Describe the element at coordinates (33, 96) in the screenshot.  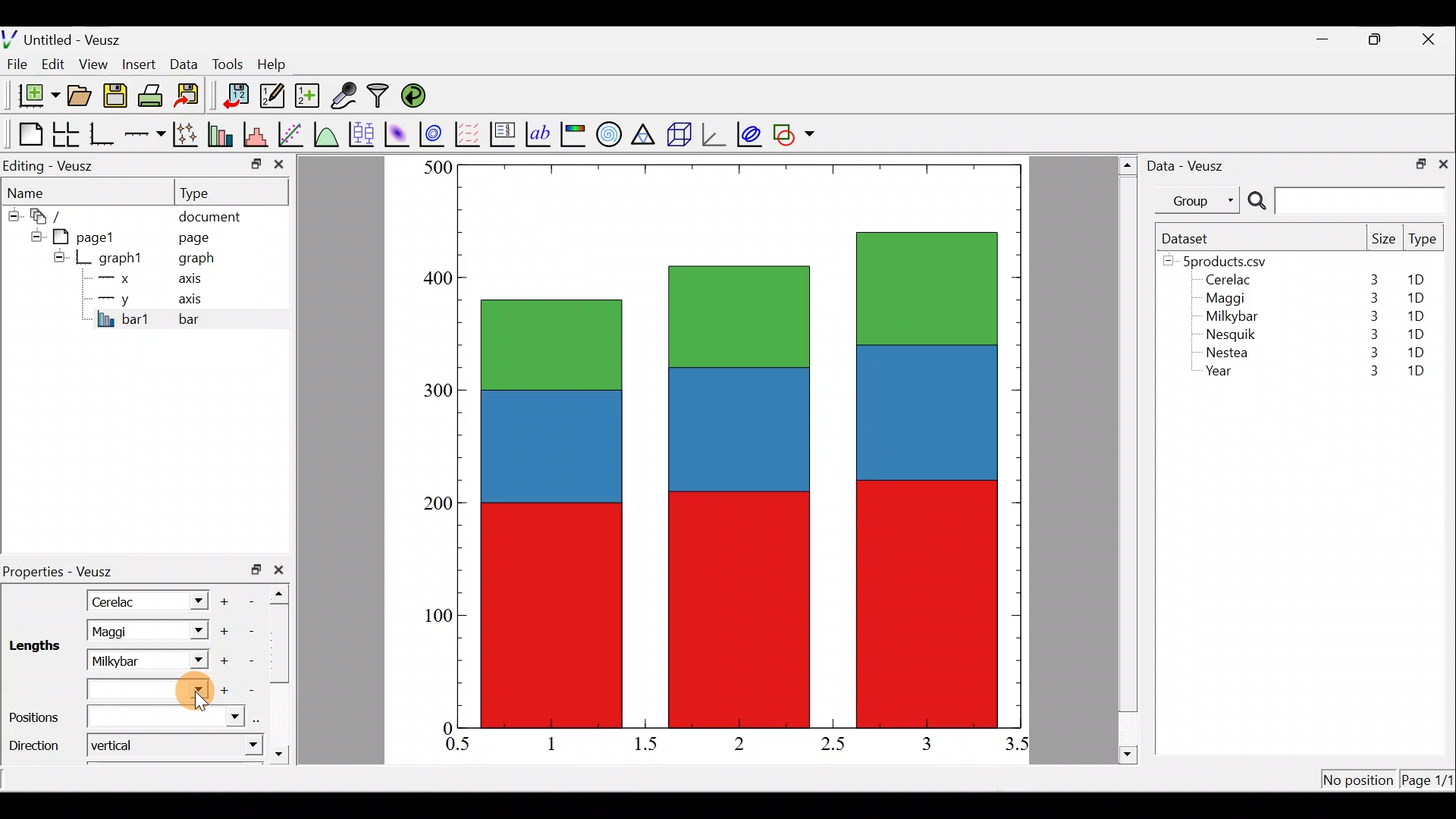
I see `New document` at that location.